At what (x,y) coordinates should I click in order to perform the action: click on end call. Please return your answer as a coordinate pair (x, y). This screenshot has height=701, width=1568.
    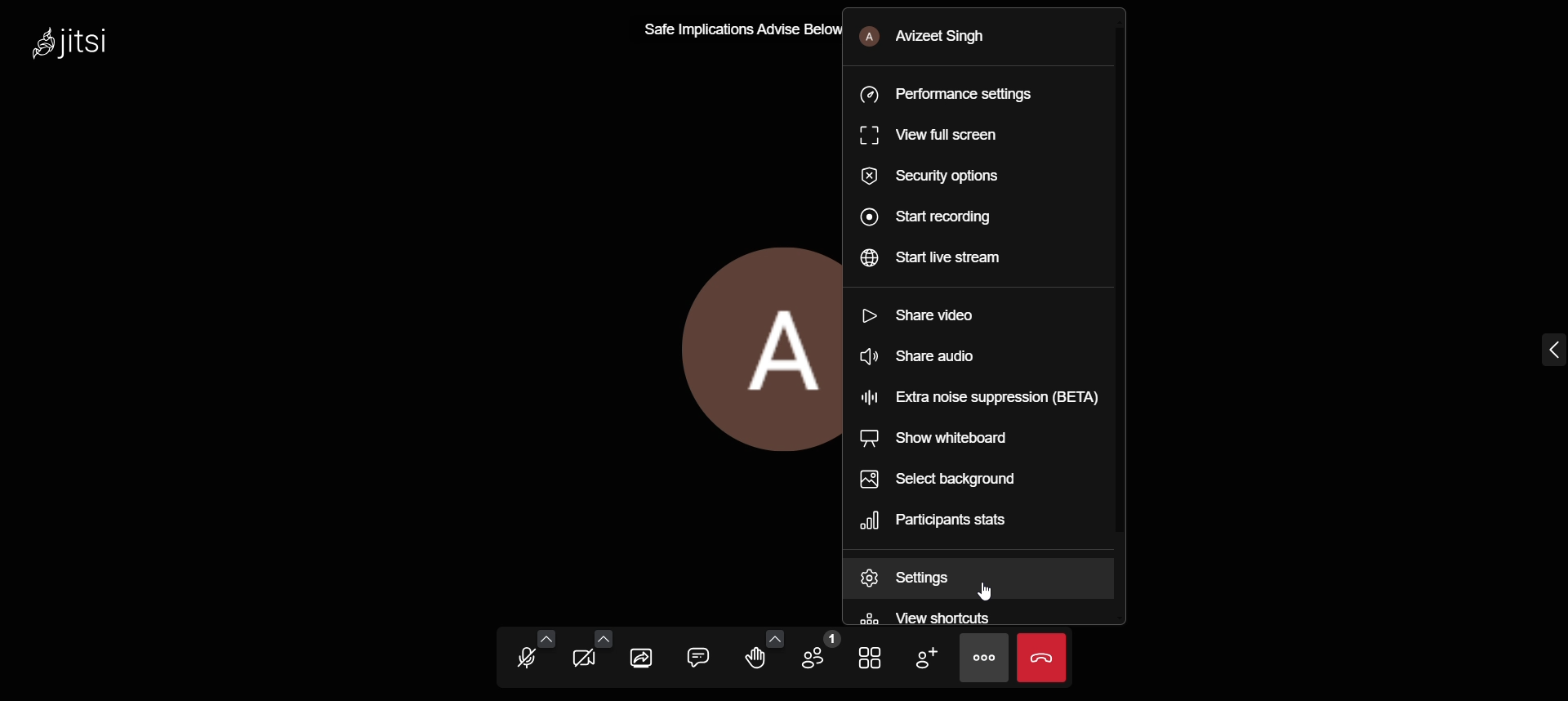
    Looking at the image, I should click on (1041, 657).